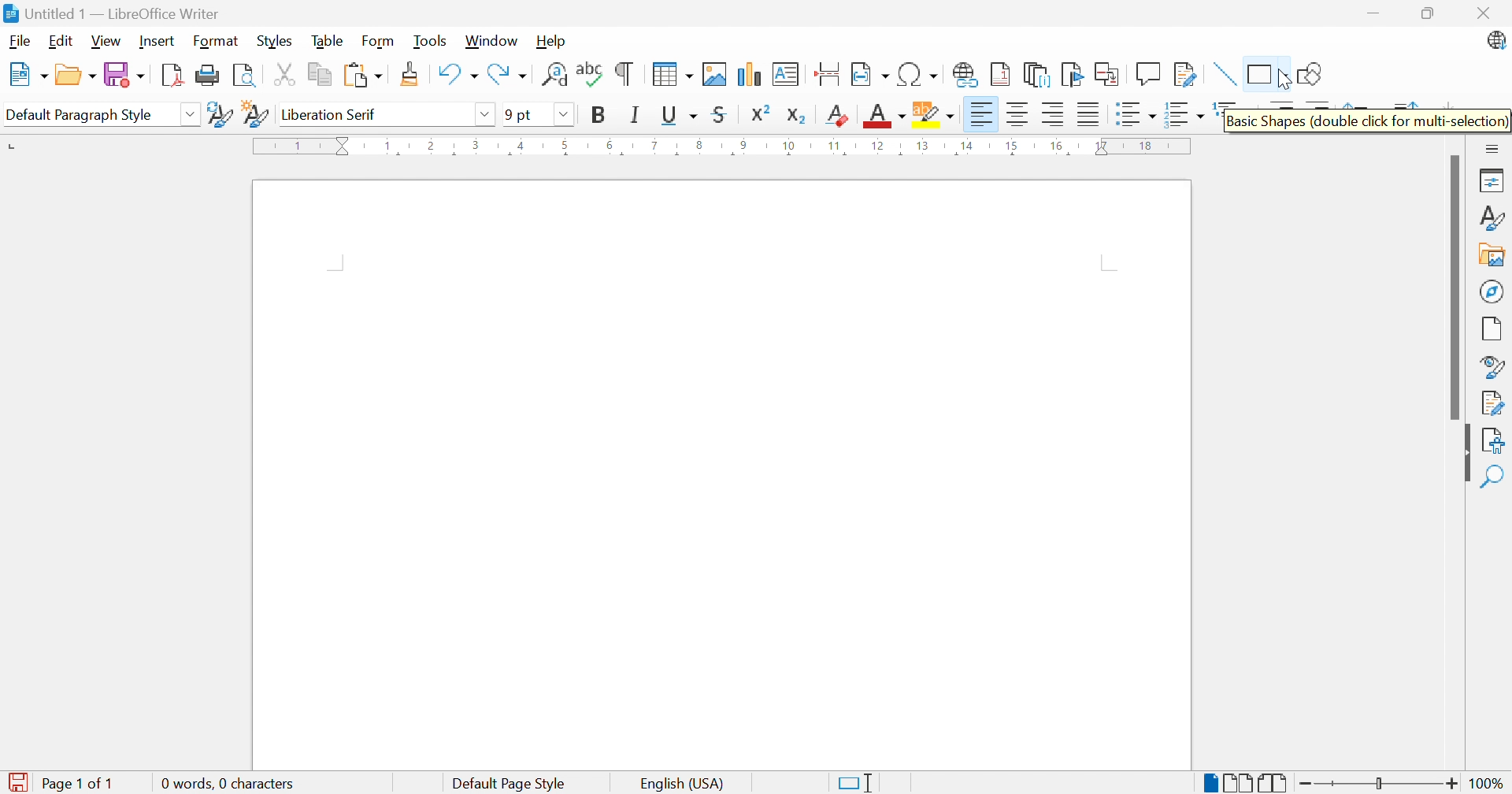  What do you see at coordinates (1374, 784) in the screenshot?
I see `Slider` at bounding box center [1374, 784].